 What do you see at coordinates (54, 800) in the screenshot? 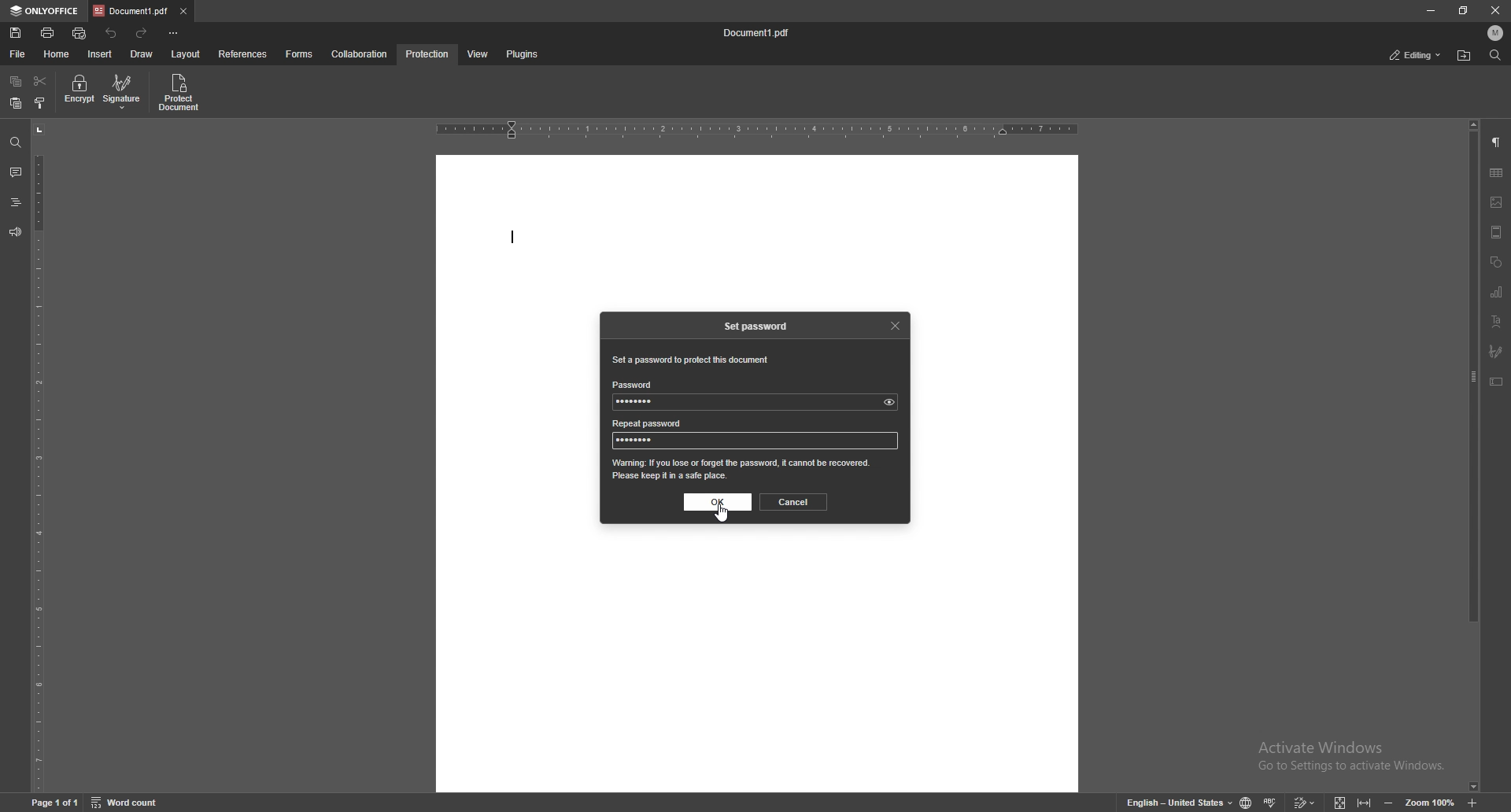
I see `page` at bounding box center [54, 800].